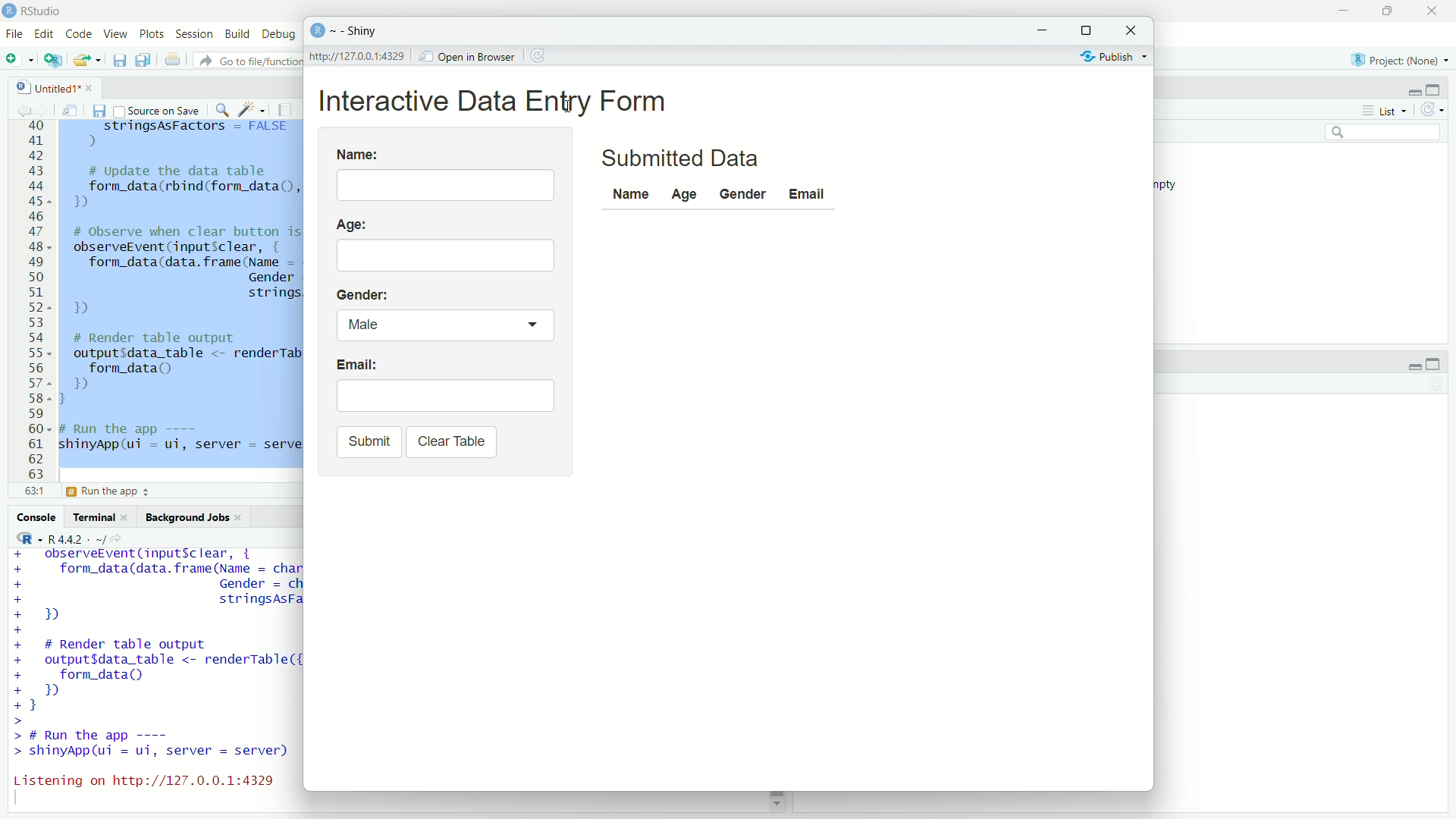 The height and width of the screenshot is (819, 1456). Describe the element at coordinates (70, 108) in the screenshot. I see `show in new window` at that location.